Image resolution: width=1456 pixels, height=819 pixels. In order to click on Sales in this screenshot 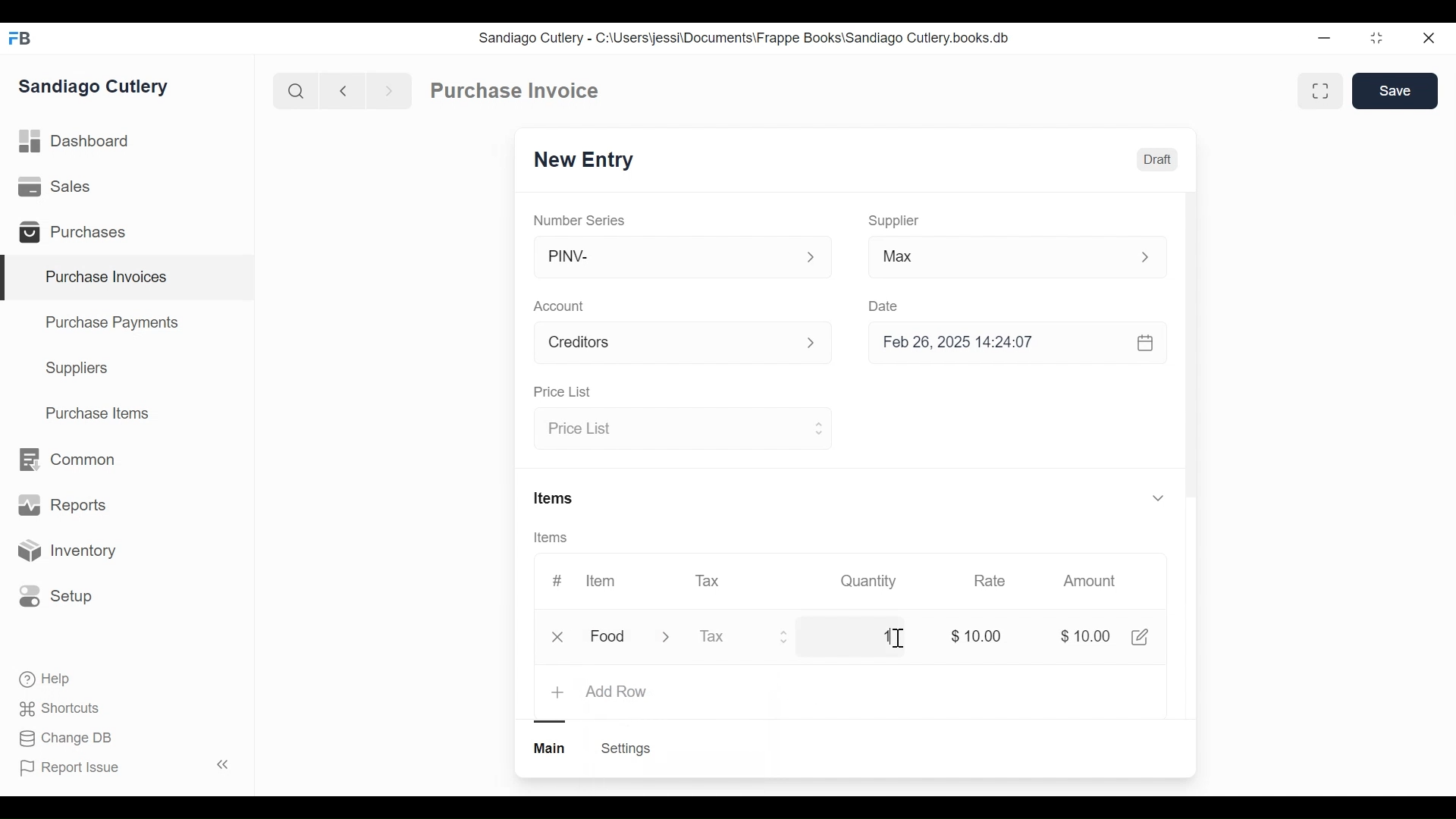, I will do `click(58, 187)`.